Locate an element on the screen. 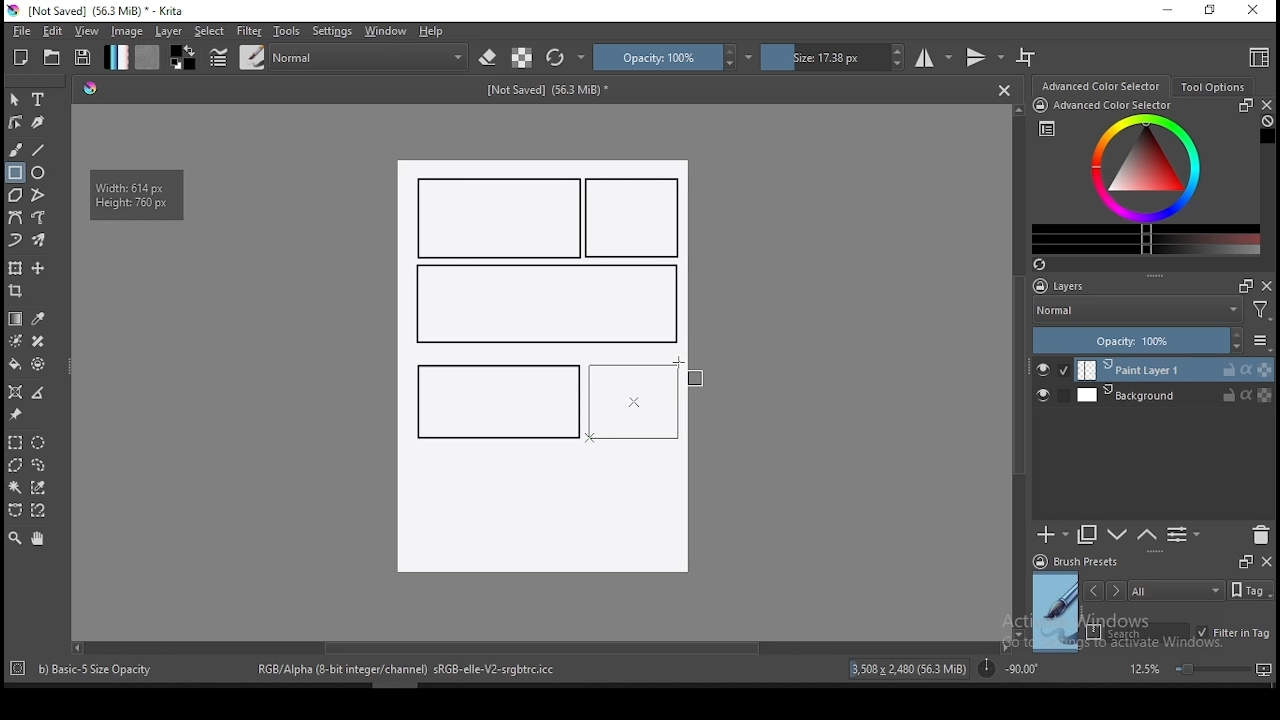  filter is located at coordinates (248, 31).